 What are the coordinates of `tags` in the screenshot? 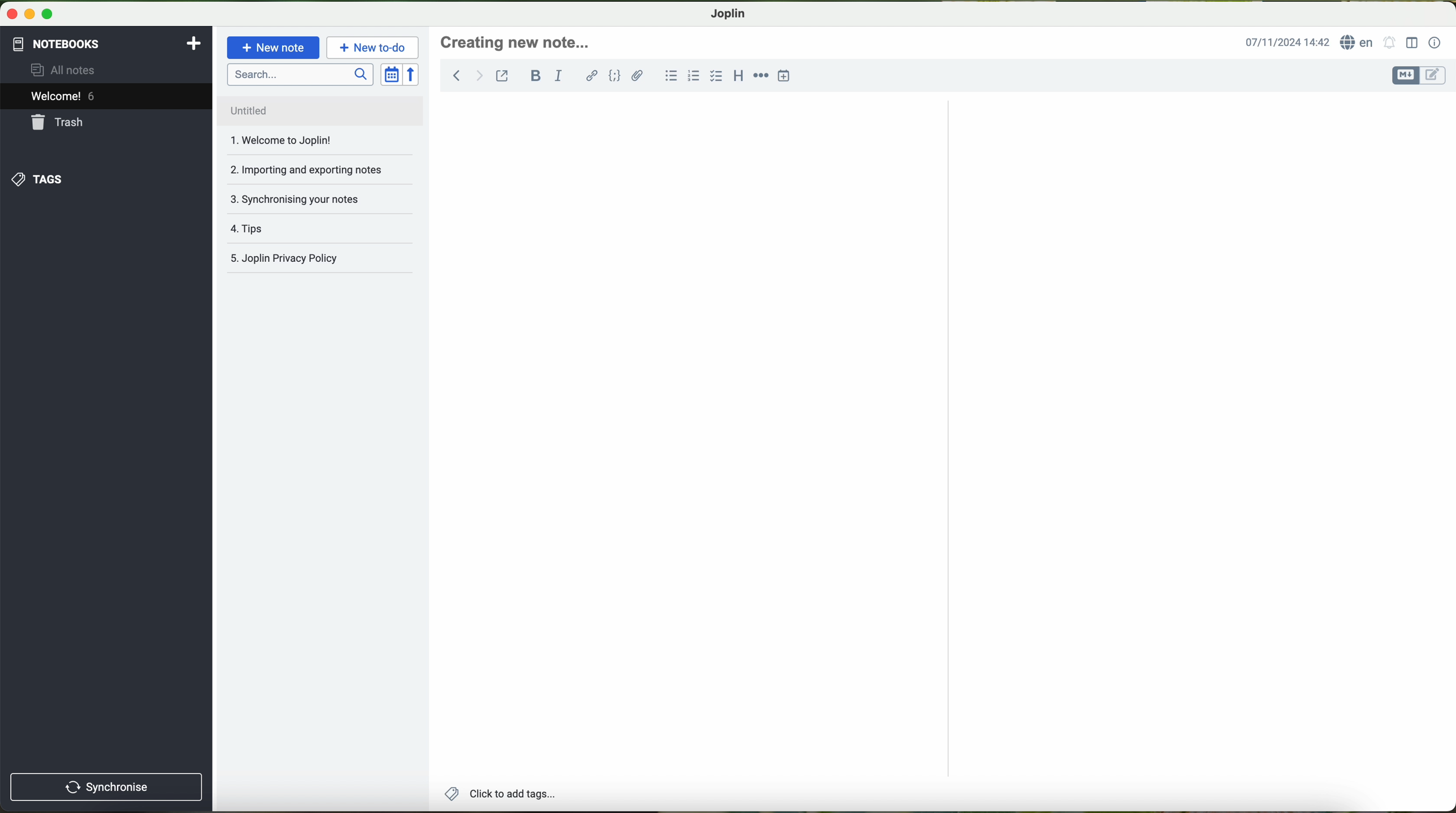 It's located at (106, 179).